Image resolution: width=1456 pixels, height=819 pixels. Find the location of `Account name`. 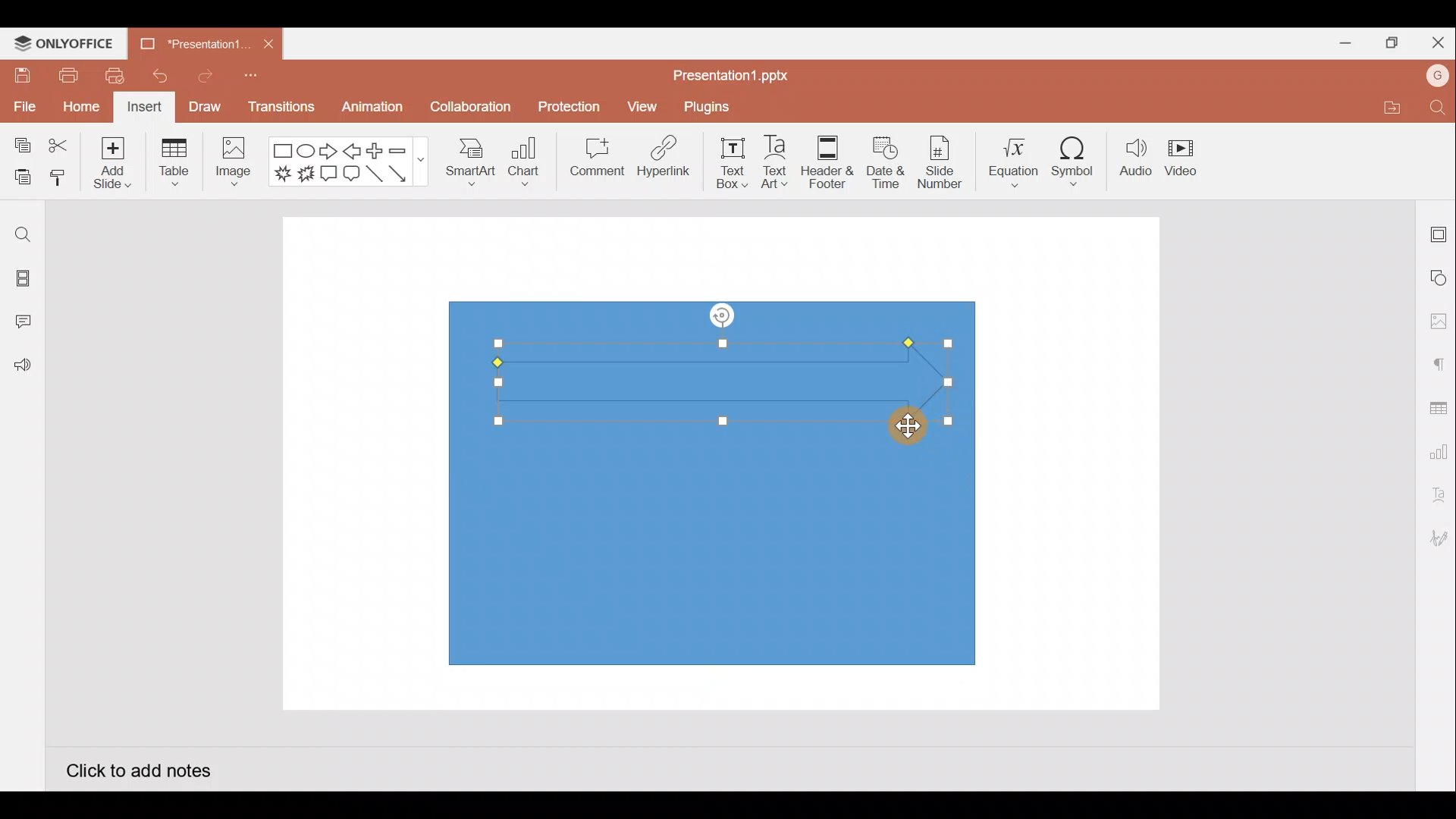

Account name is located at coordinates (1438, 76).